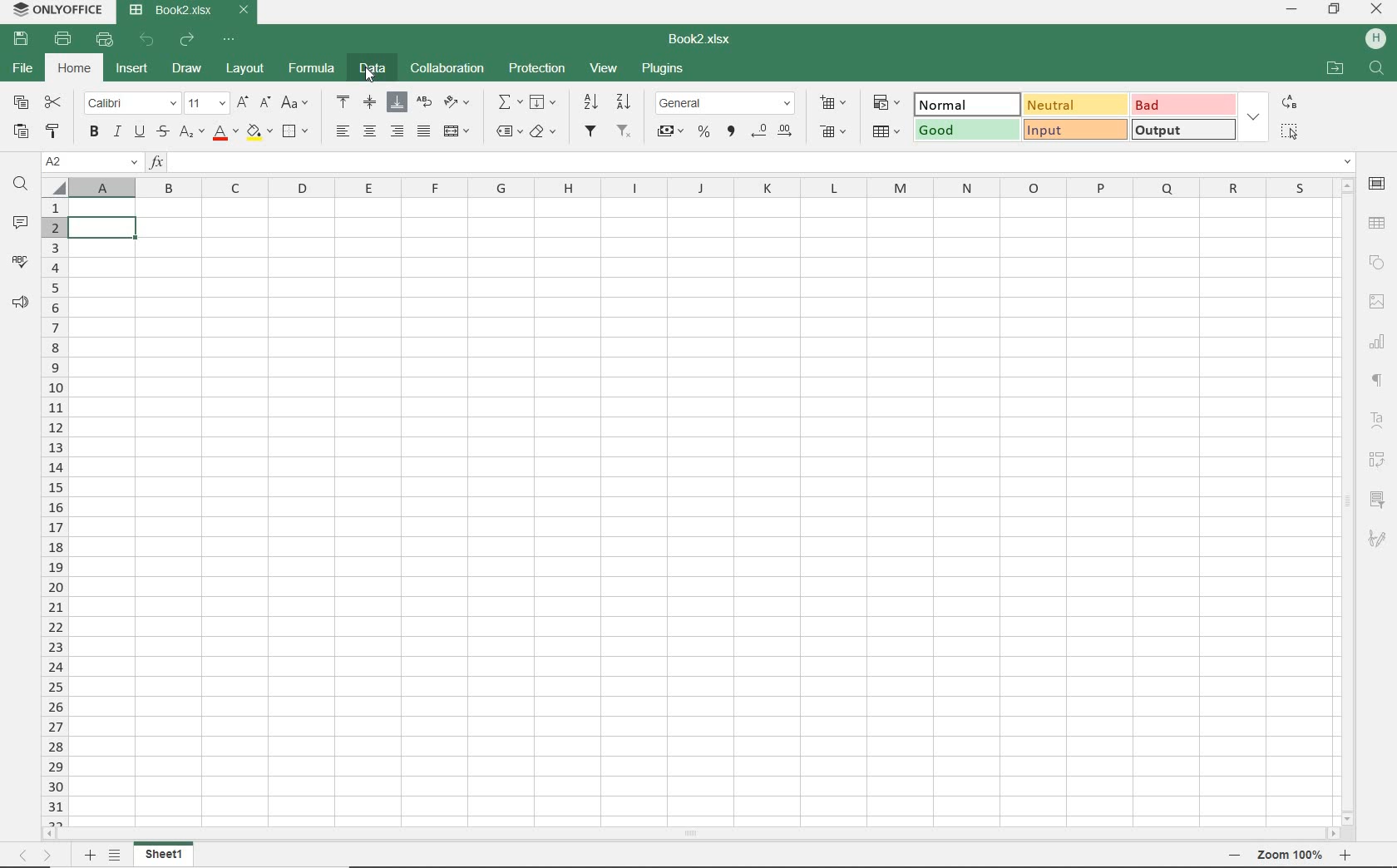  What do you see at coordinates (545, 132) in the screenshot?
I see `CLEAR` at bounding box center [545, 132].